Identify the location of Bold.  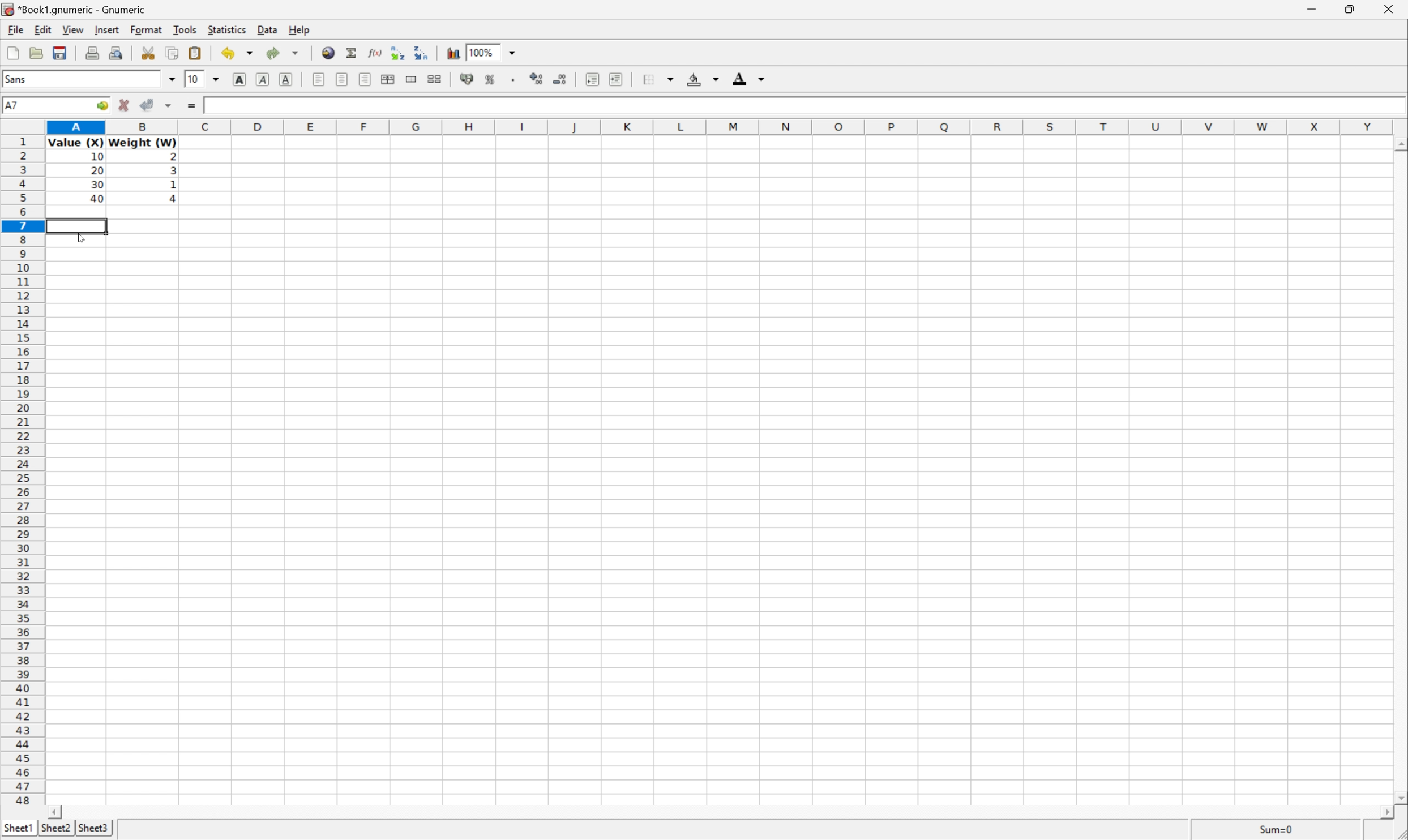
(241, 79).